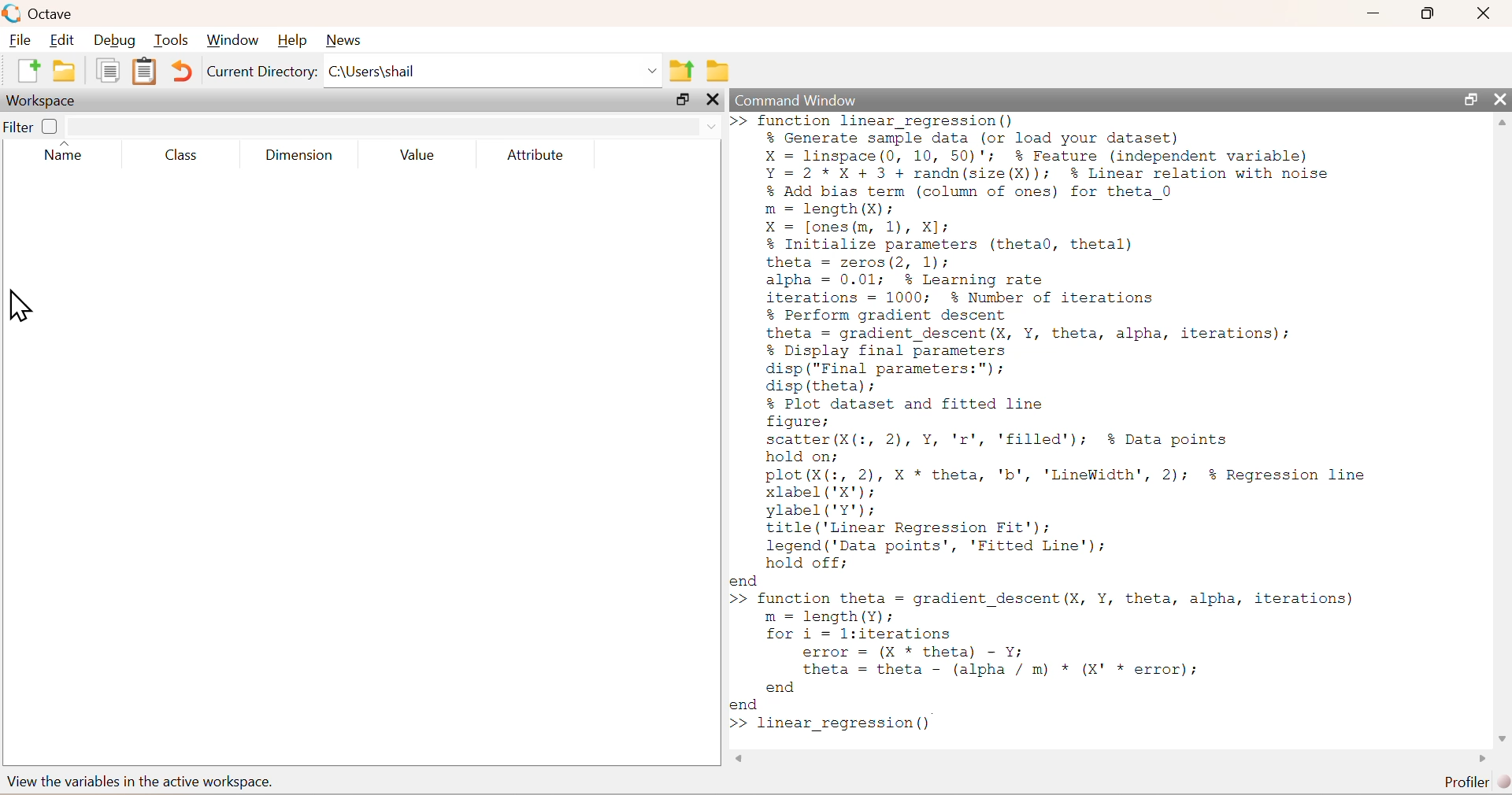 The image size is (1512, 795). What do you see at coordinates (144, 72) in the screenshot?
I see `document clipboard` at bounding box center [144, 72].